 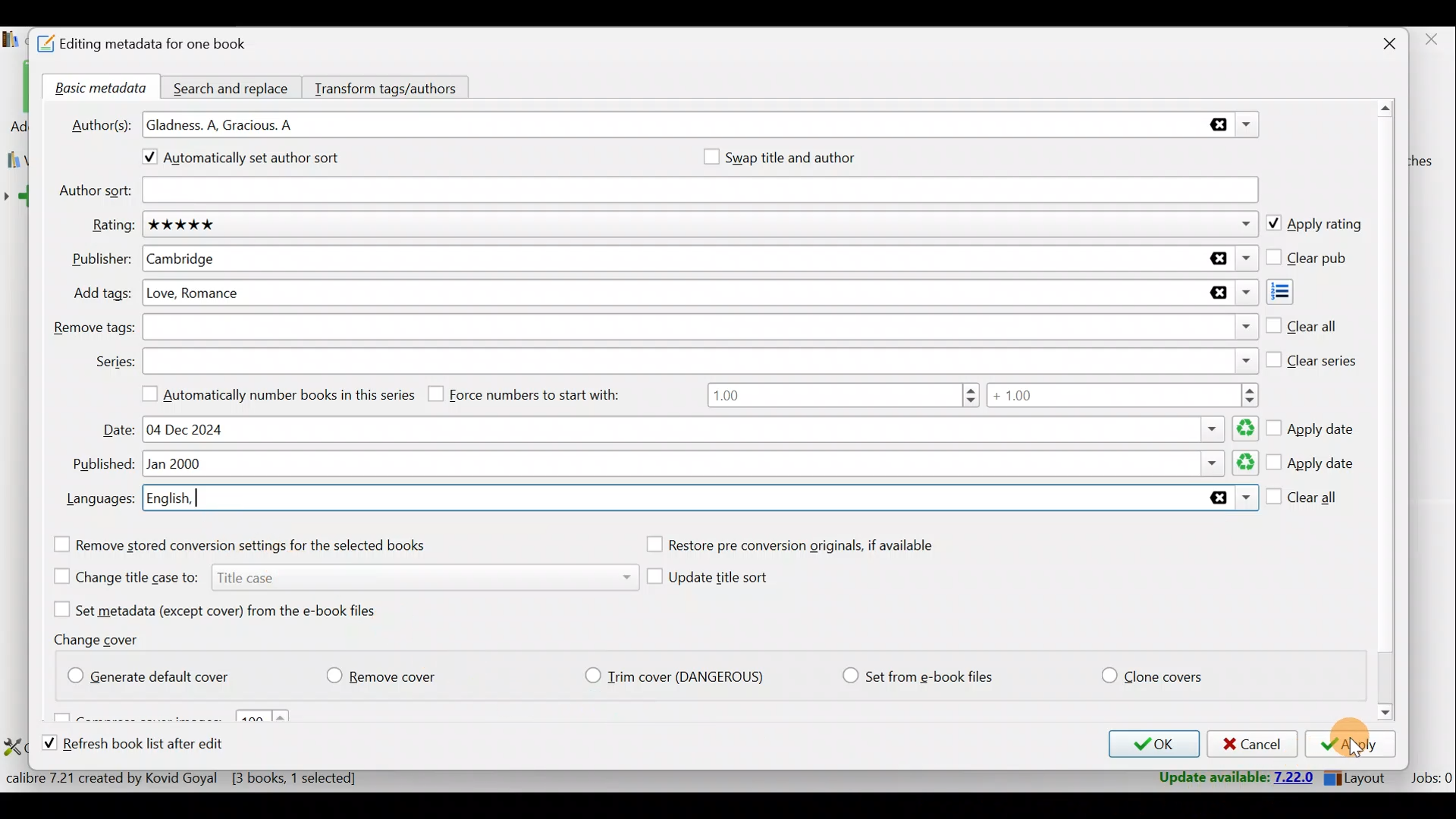 What do you see at coordinates (701, 359) in the screenshot?
I see `Series` at bounding box center [701, 359].